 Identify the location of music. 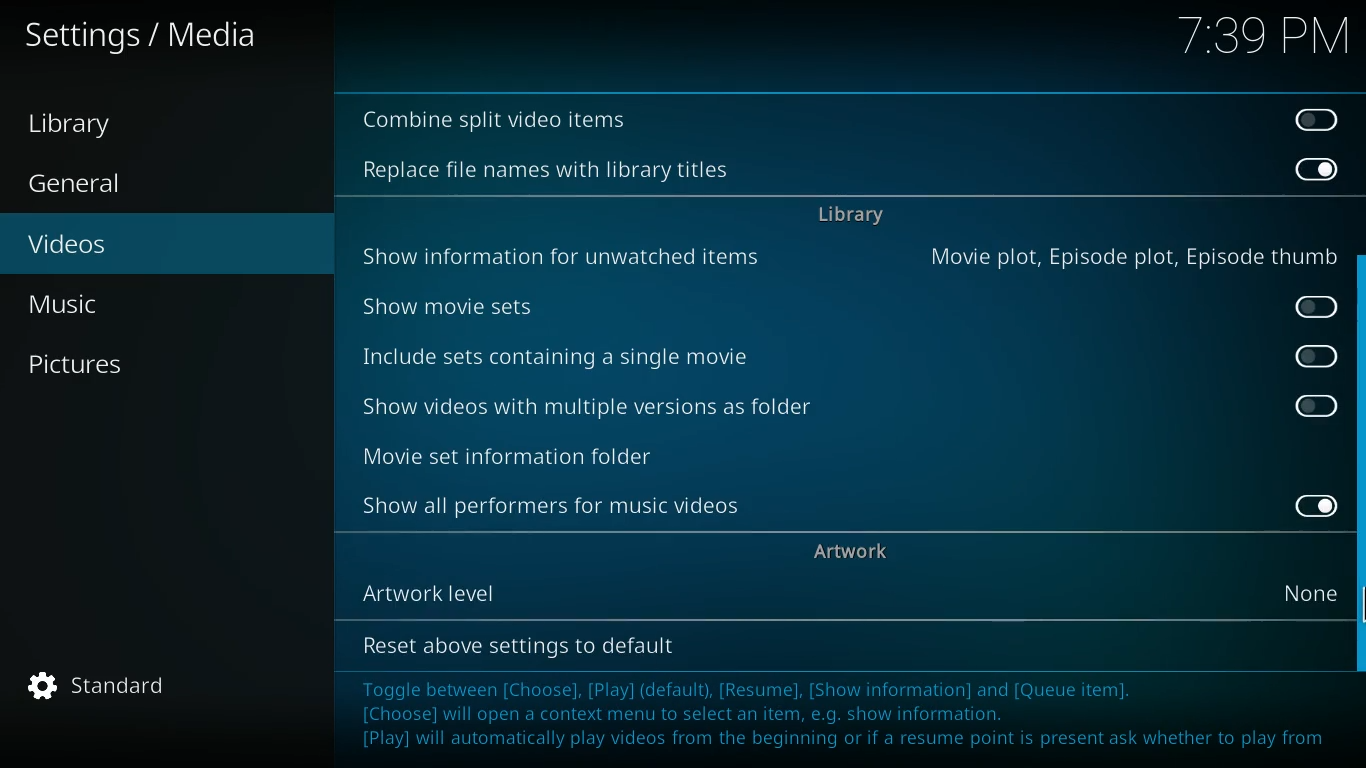
(161, 304).